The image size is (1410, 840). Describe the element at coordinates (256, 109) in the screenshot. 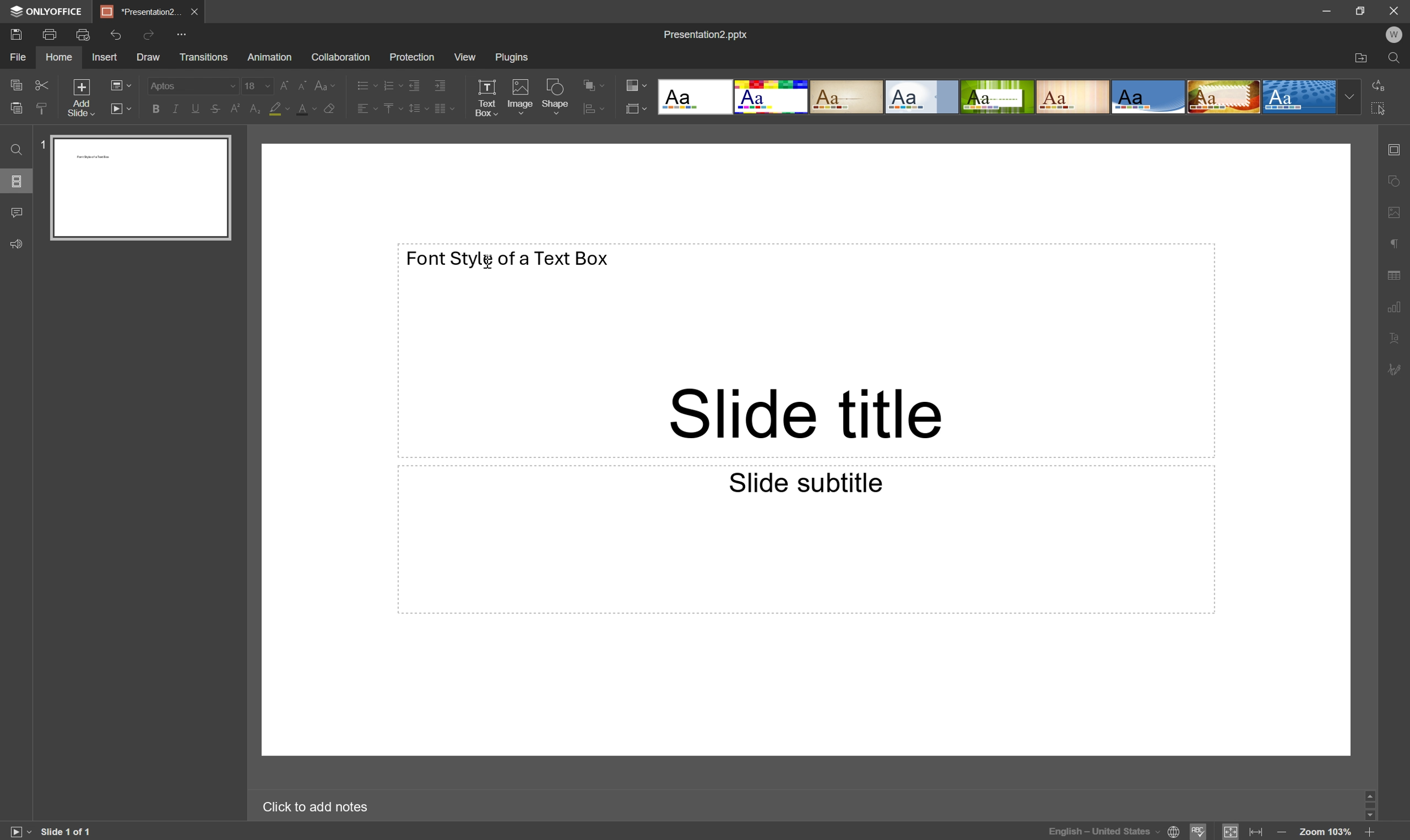

I see `Subscript` at that location.